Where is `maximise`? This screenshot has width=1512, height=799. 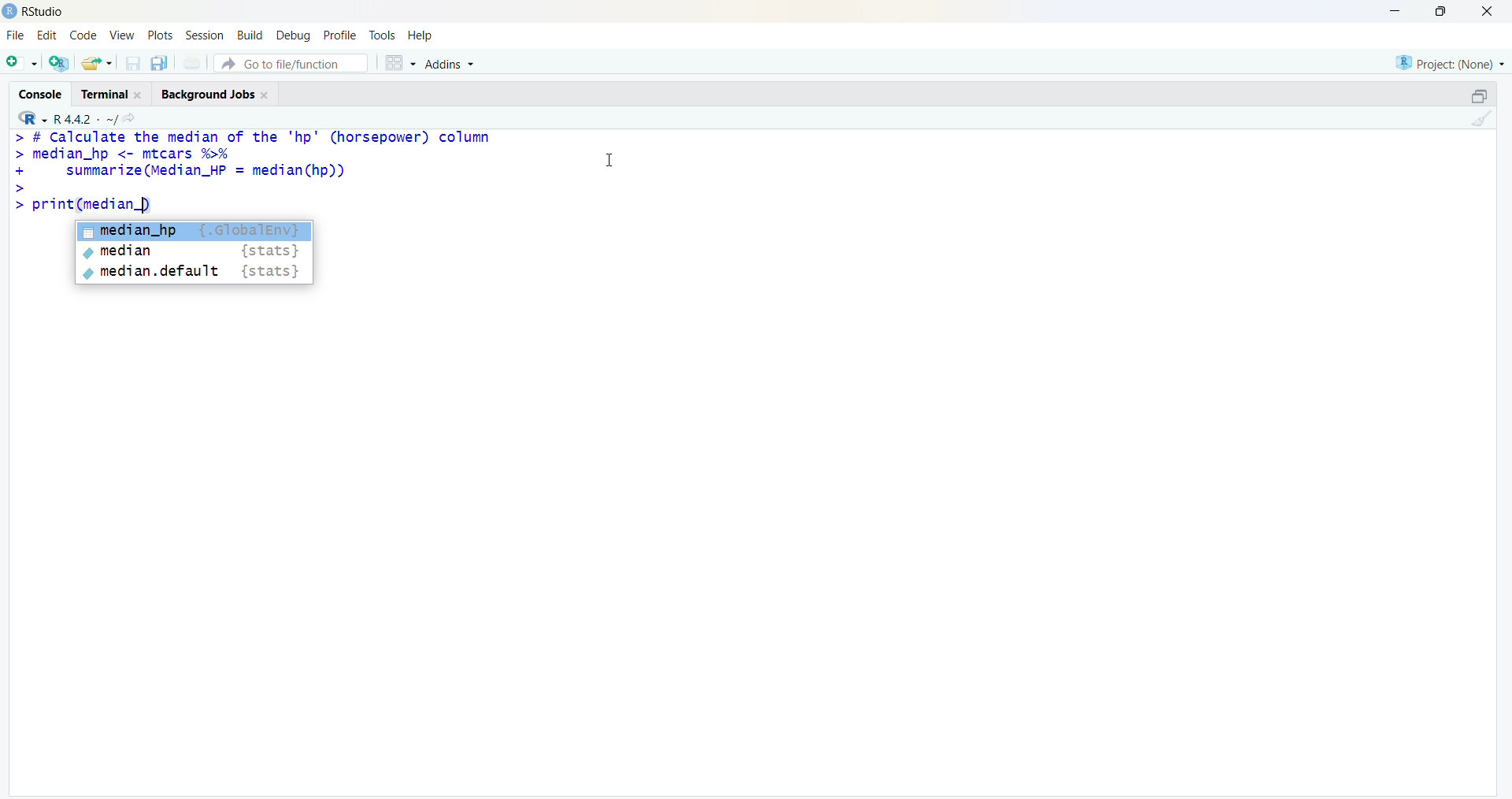 maximise is located at coordinates (1441, 11).